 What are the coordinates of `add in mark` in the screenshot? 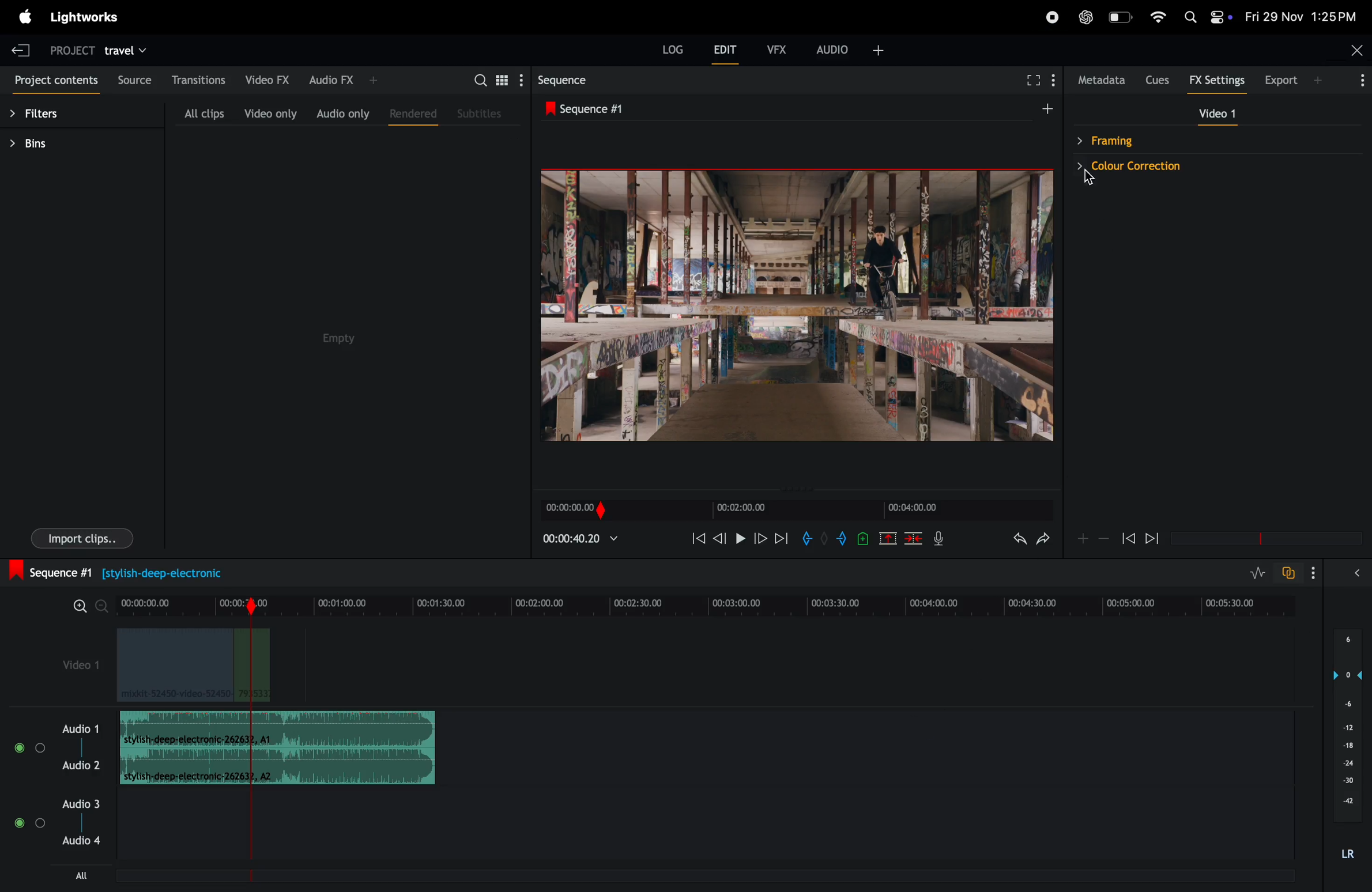 It's located at (806, 538).